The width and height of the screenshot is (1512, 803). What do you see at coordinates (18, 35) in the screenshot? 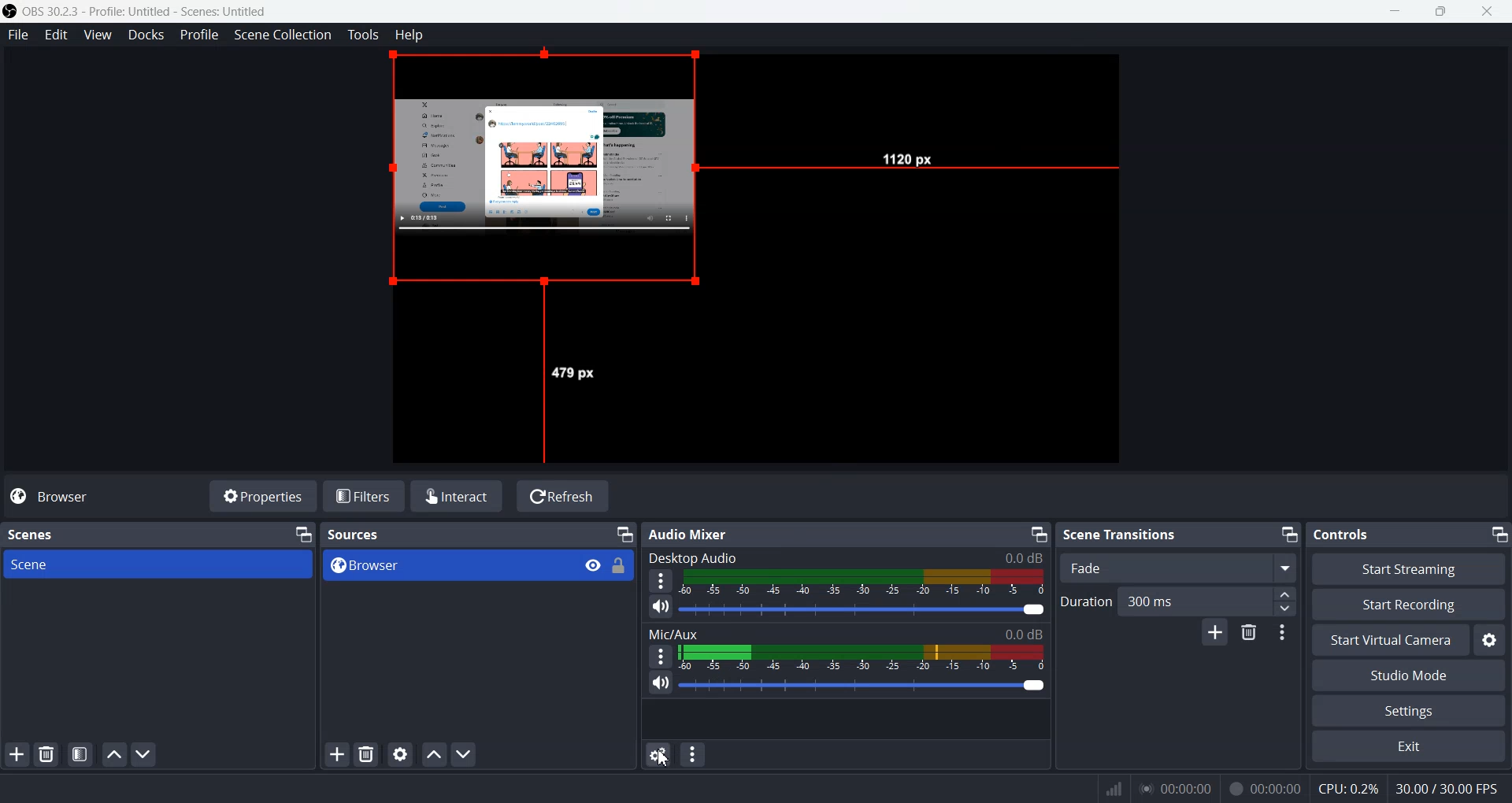
I see `File` at bounding box center [18, 35].